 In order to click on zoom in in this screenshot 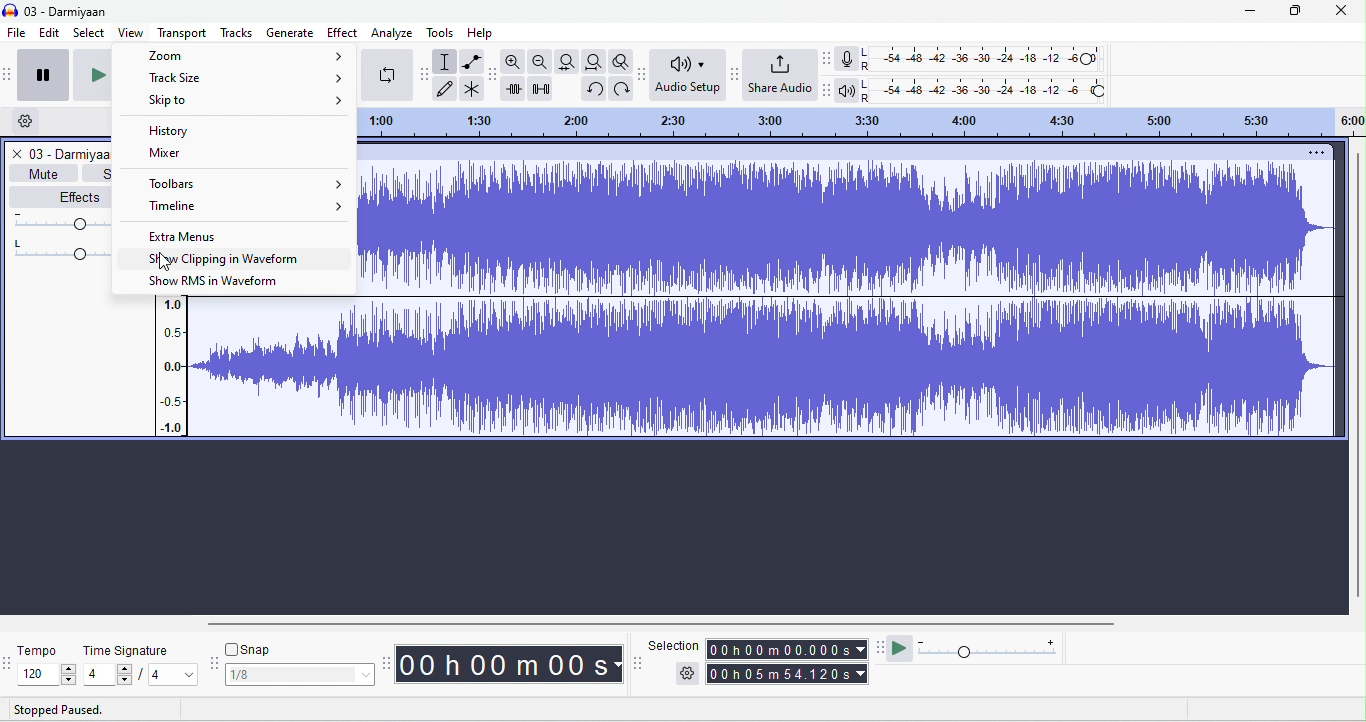, I will do `click(515, 63)`.